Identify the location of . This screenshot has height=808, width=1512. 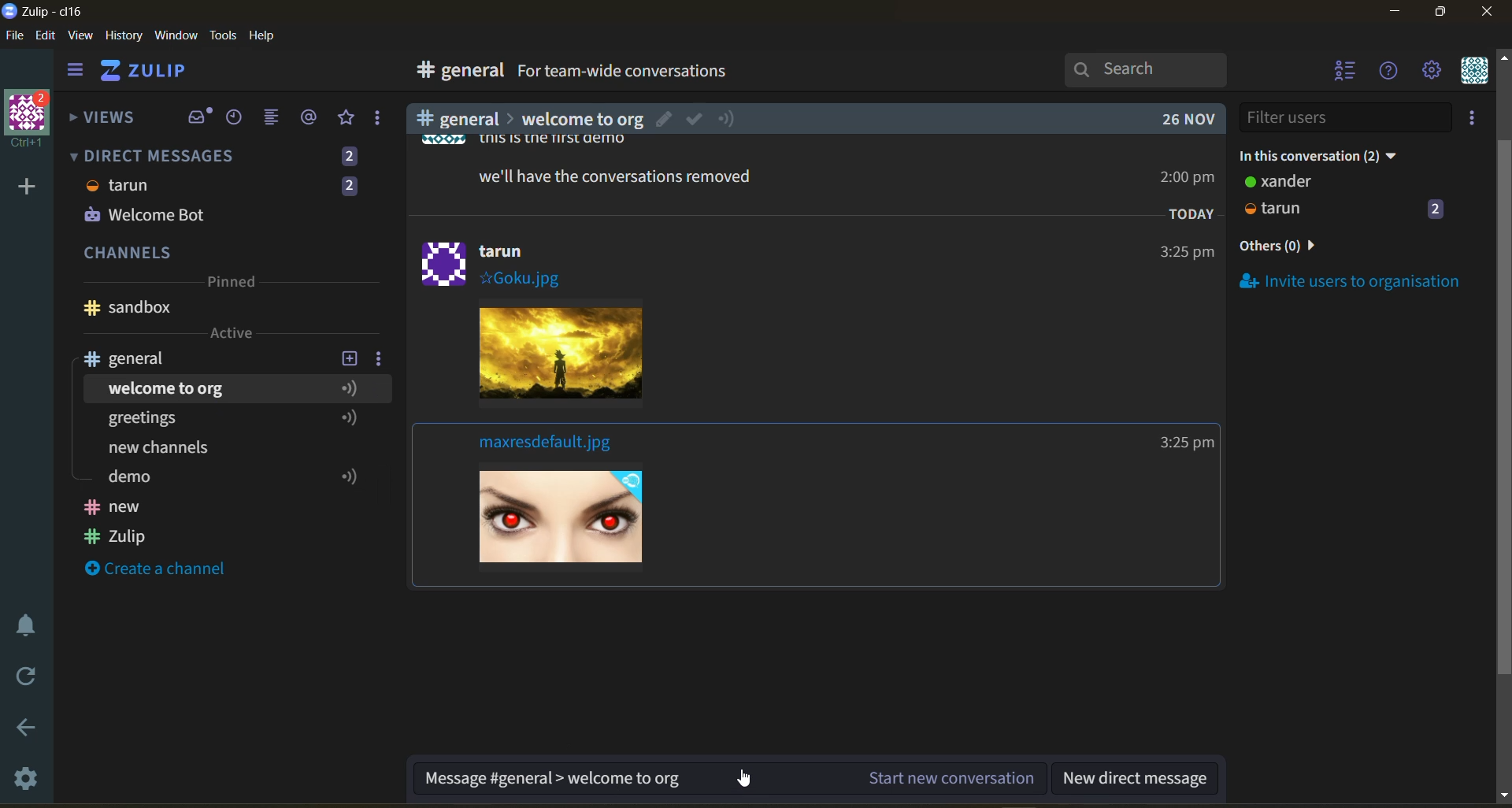
(604, 175).